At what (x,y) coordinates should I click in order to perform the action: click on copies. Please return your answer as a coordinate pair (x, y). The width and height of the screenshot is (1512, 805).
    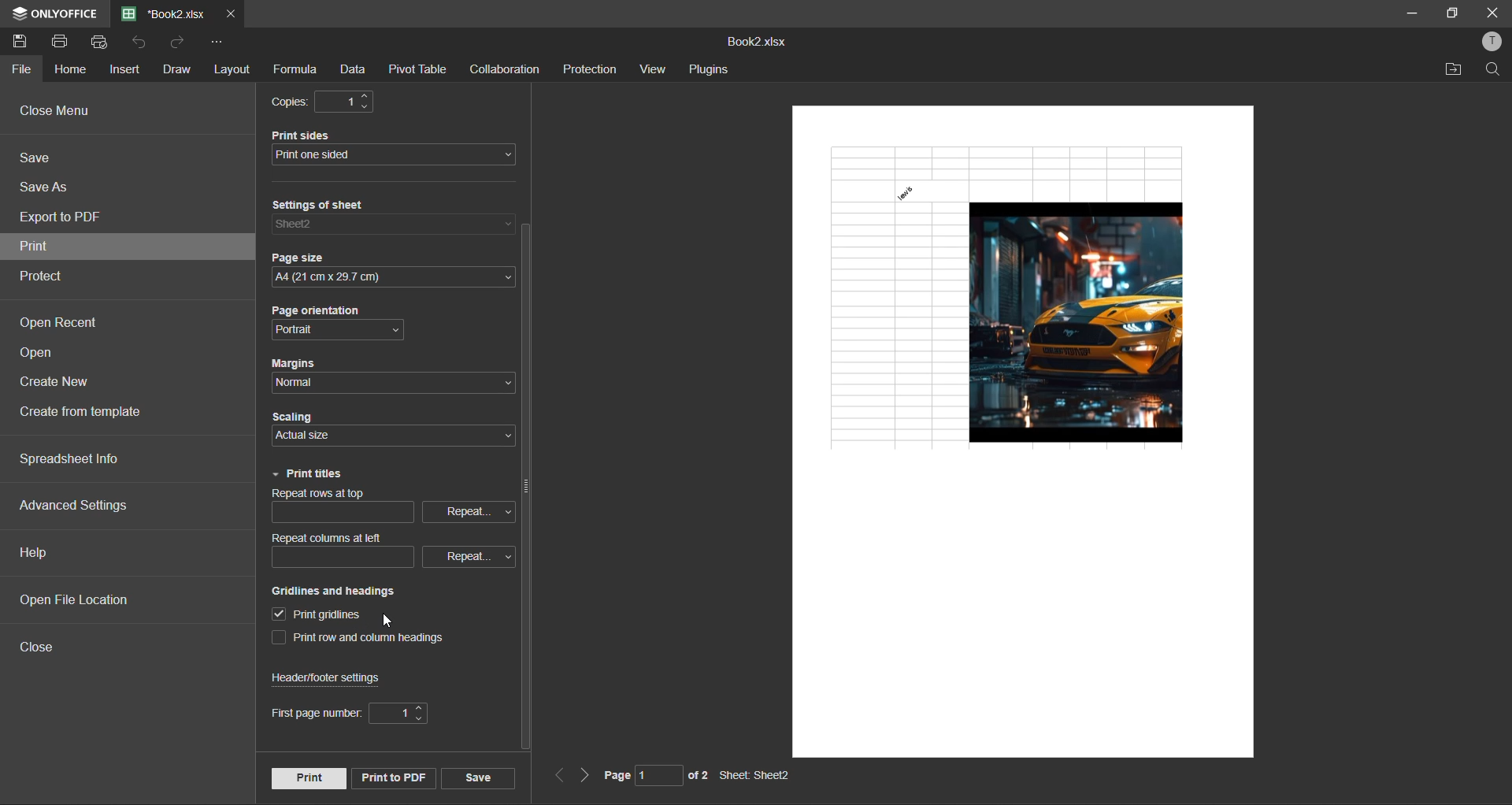
    Looking at the image, I should click on (287, 99).